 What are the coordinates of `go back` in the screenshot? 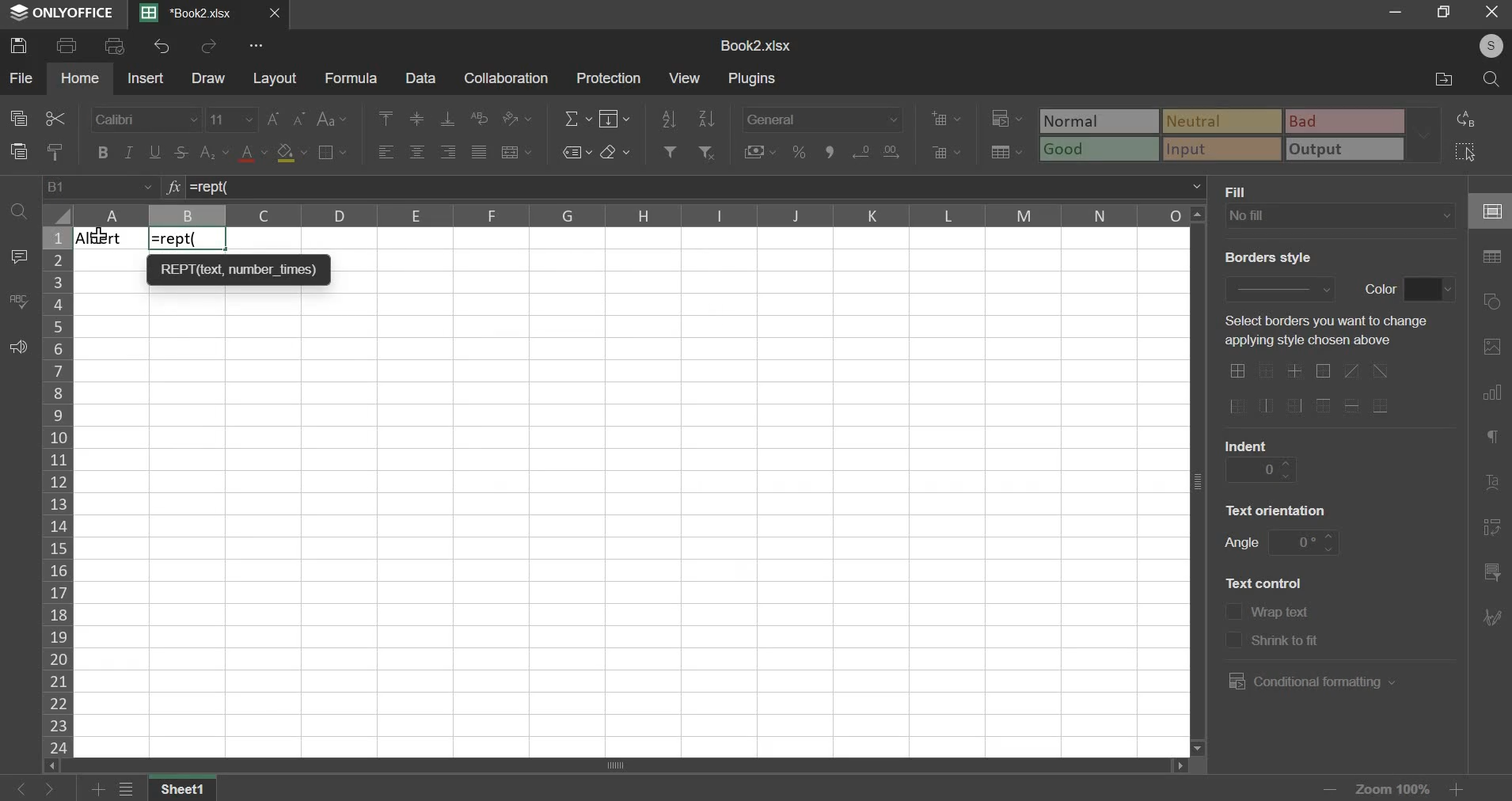 It's located at (18, 789).